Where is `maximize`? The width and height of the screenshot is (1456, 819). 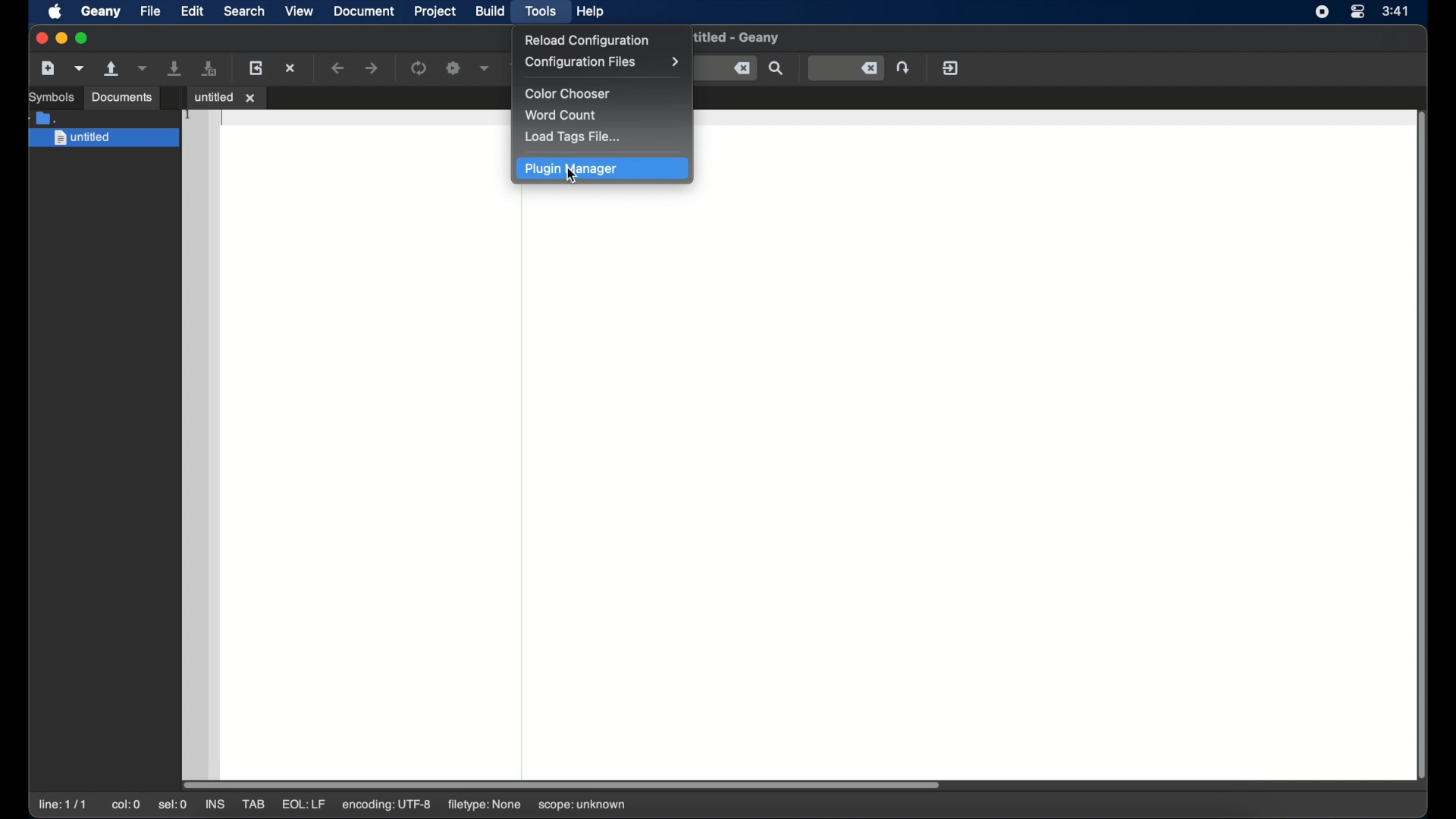 maximize is located at coordinates (82, 38).